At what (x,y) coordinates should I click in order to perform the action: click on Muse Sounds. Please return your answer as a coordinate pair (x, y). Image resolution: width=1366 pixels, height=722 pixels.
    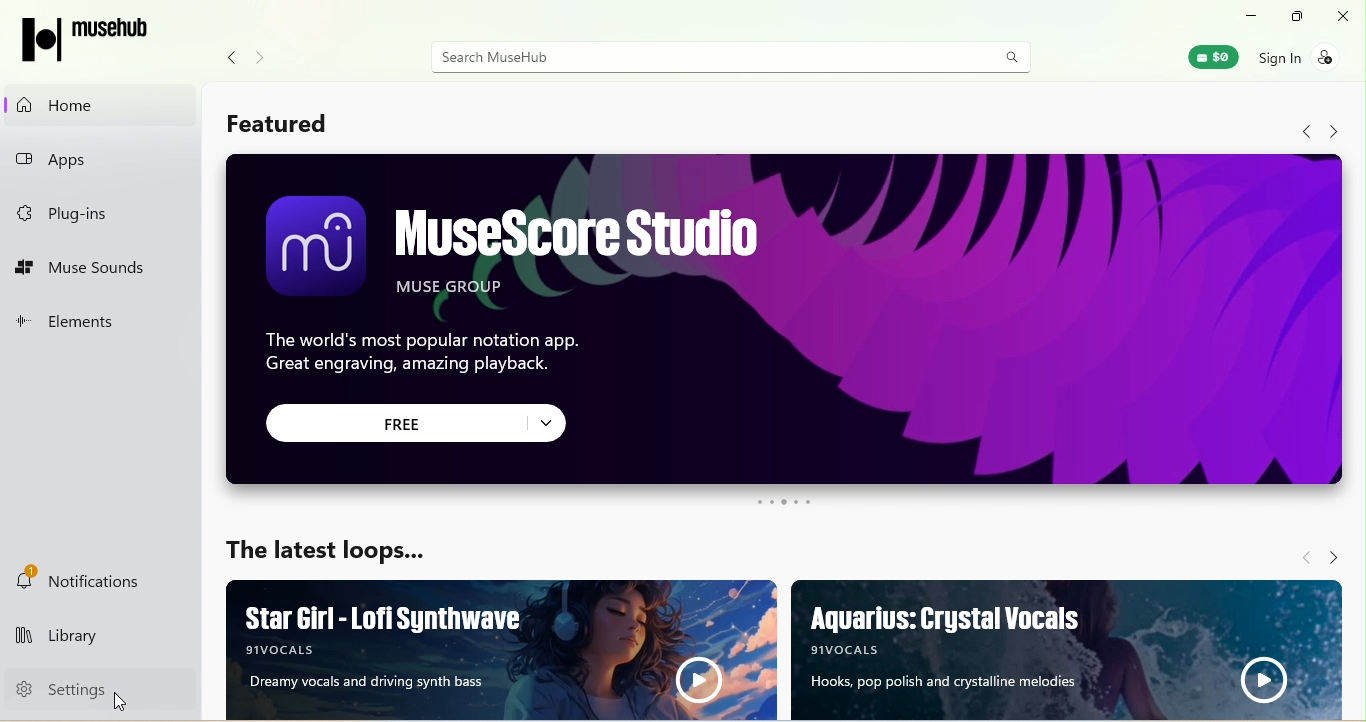
    Looking at the image, I should click on (97, 266).